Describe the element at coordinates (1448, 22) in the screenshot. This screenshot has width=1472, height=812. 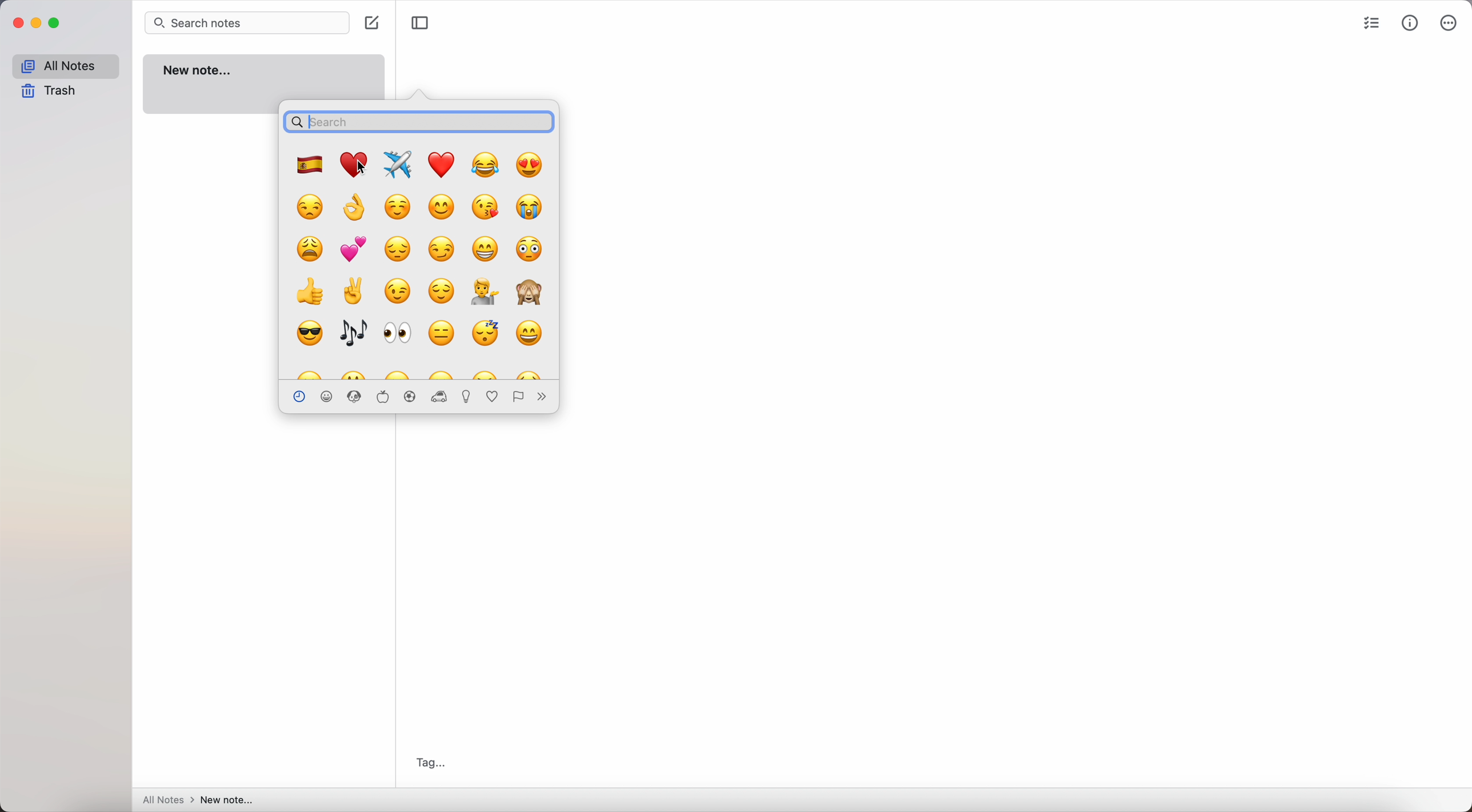
I see `more options` at that location.